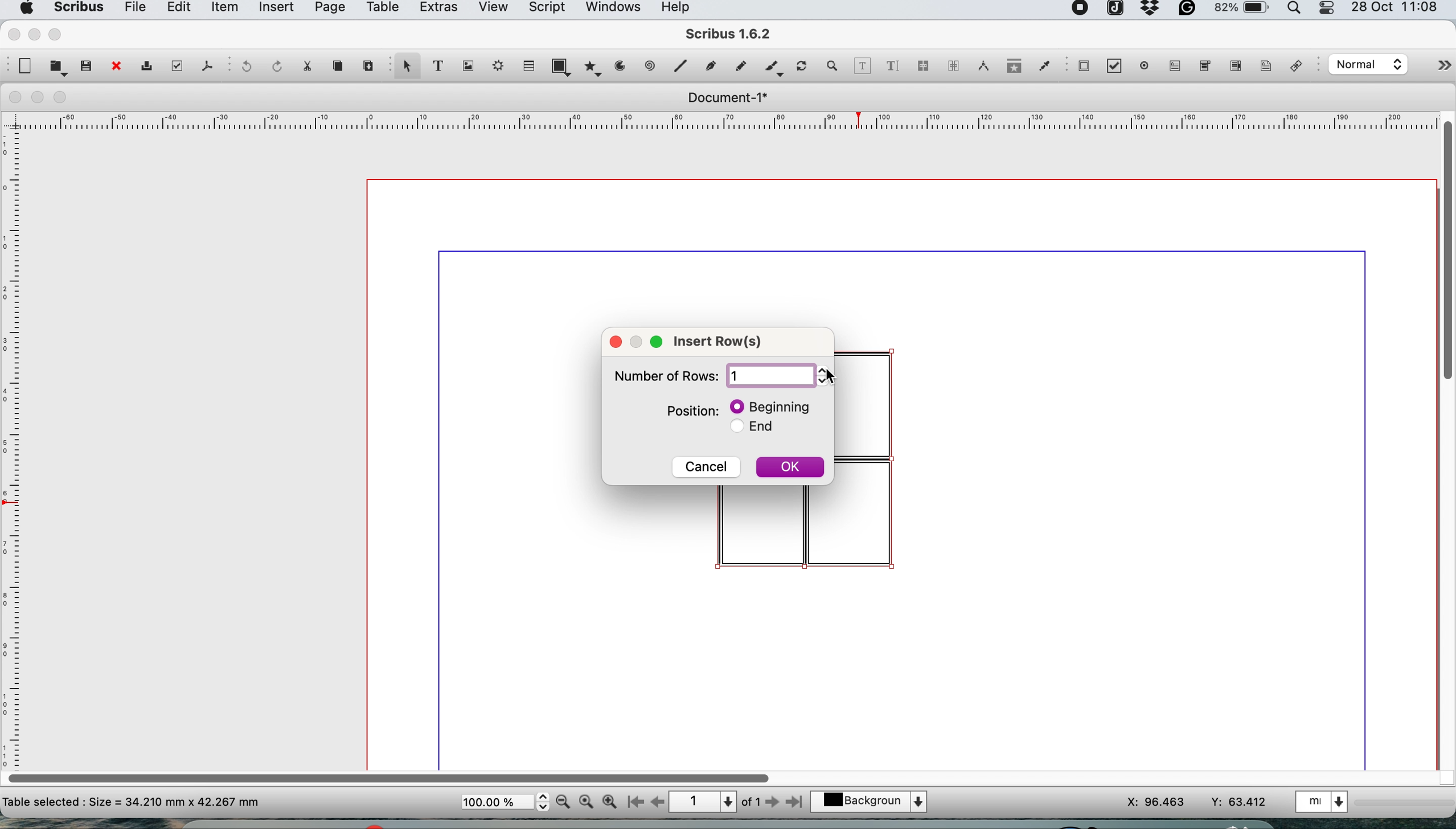  Describe the element at coordinates (1203, 69) in the screenshot. I see `pdf combo box` at that location.